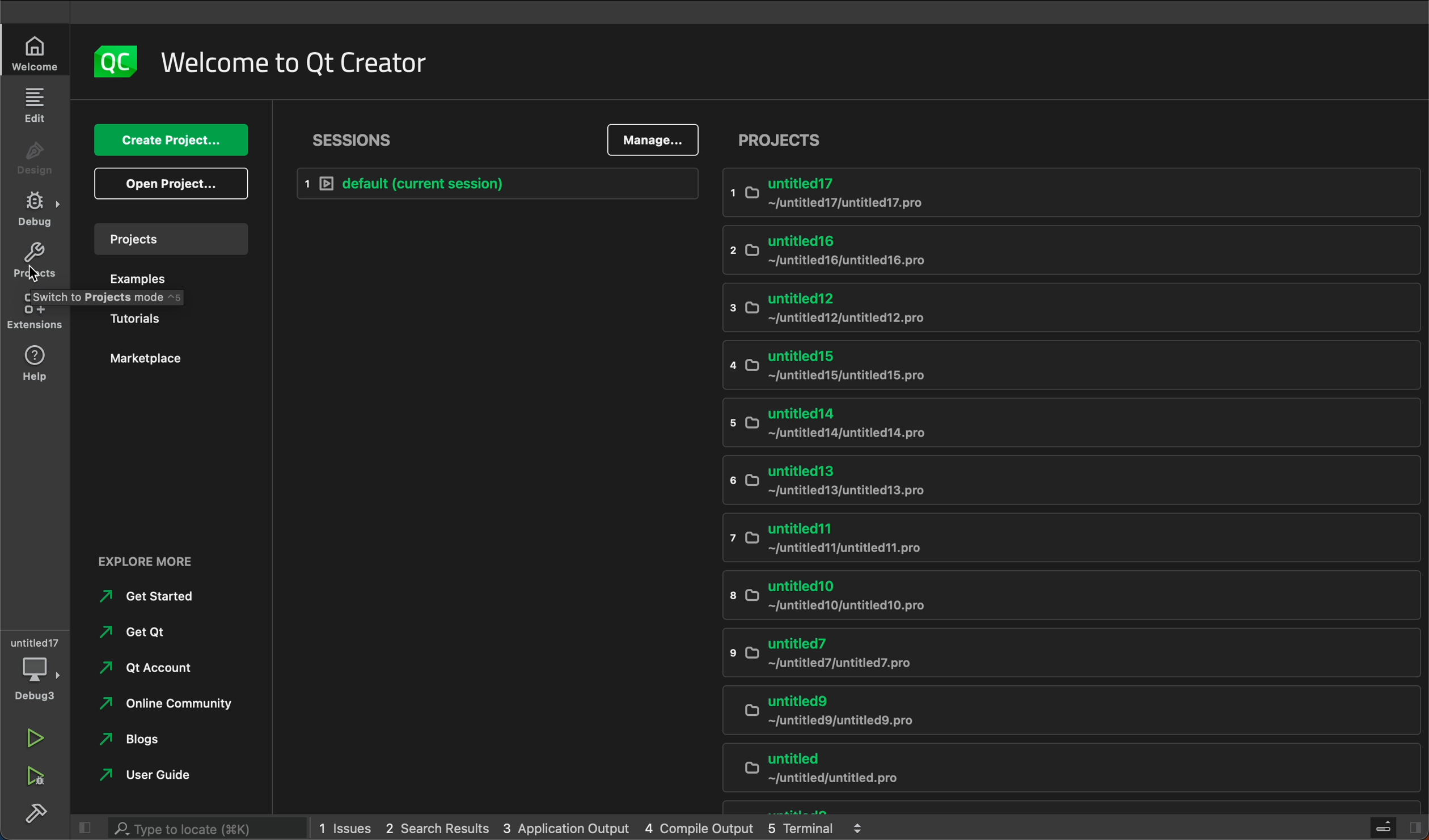 This screenshot has width=1429, height=840. What do you see at coordinates (169, 140) in the screenshot?
I see `create project` at bounding box center [169, 140].